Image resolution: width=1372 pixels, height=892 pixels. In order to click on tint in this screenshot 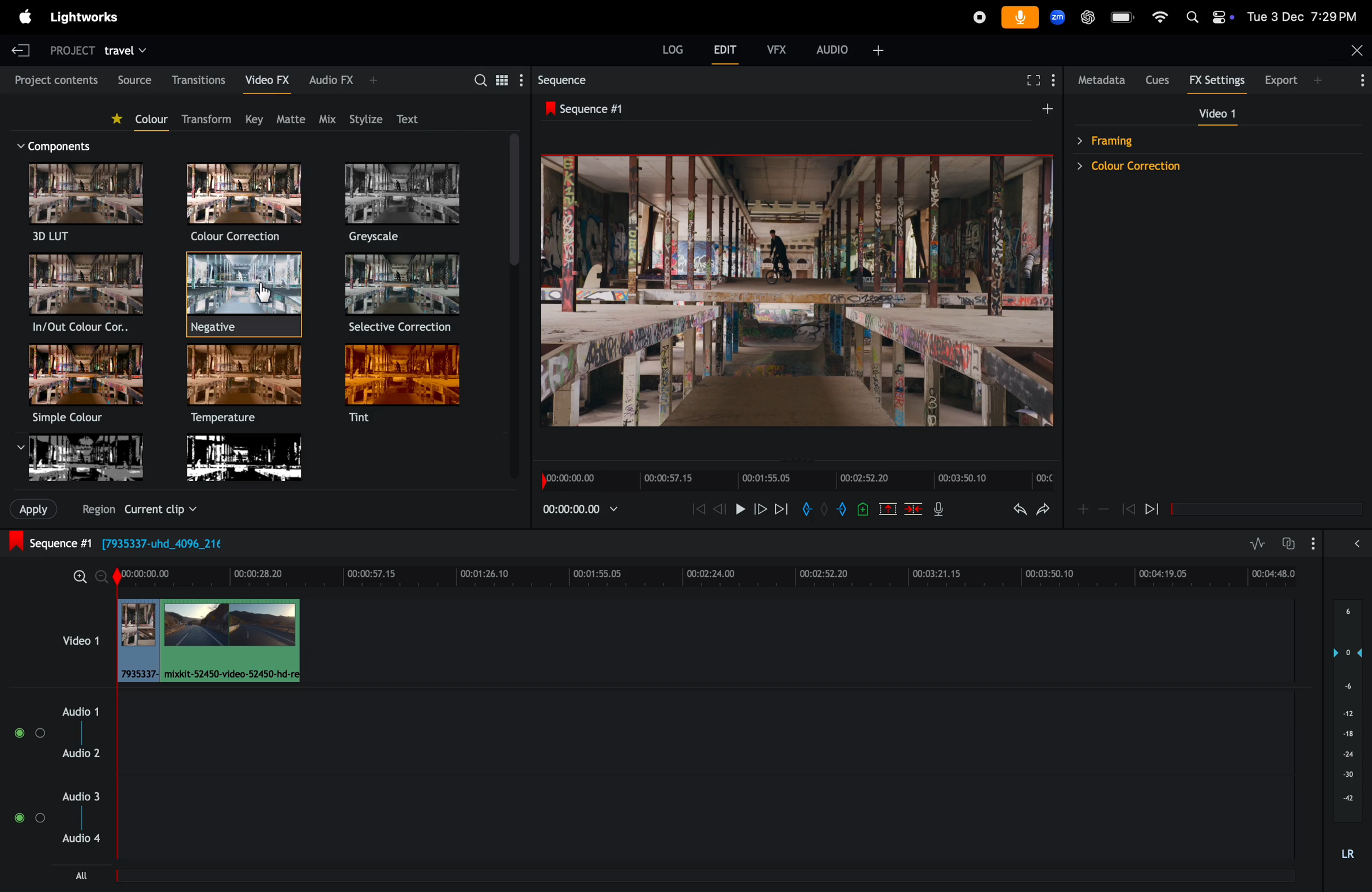, I will do `click(404, 388)`.